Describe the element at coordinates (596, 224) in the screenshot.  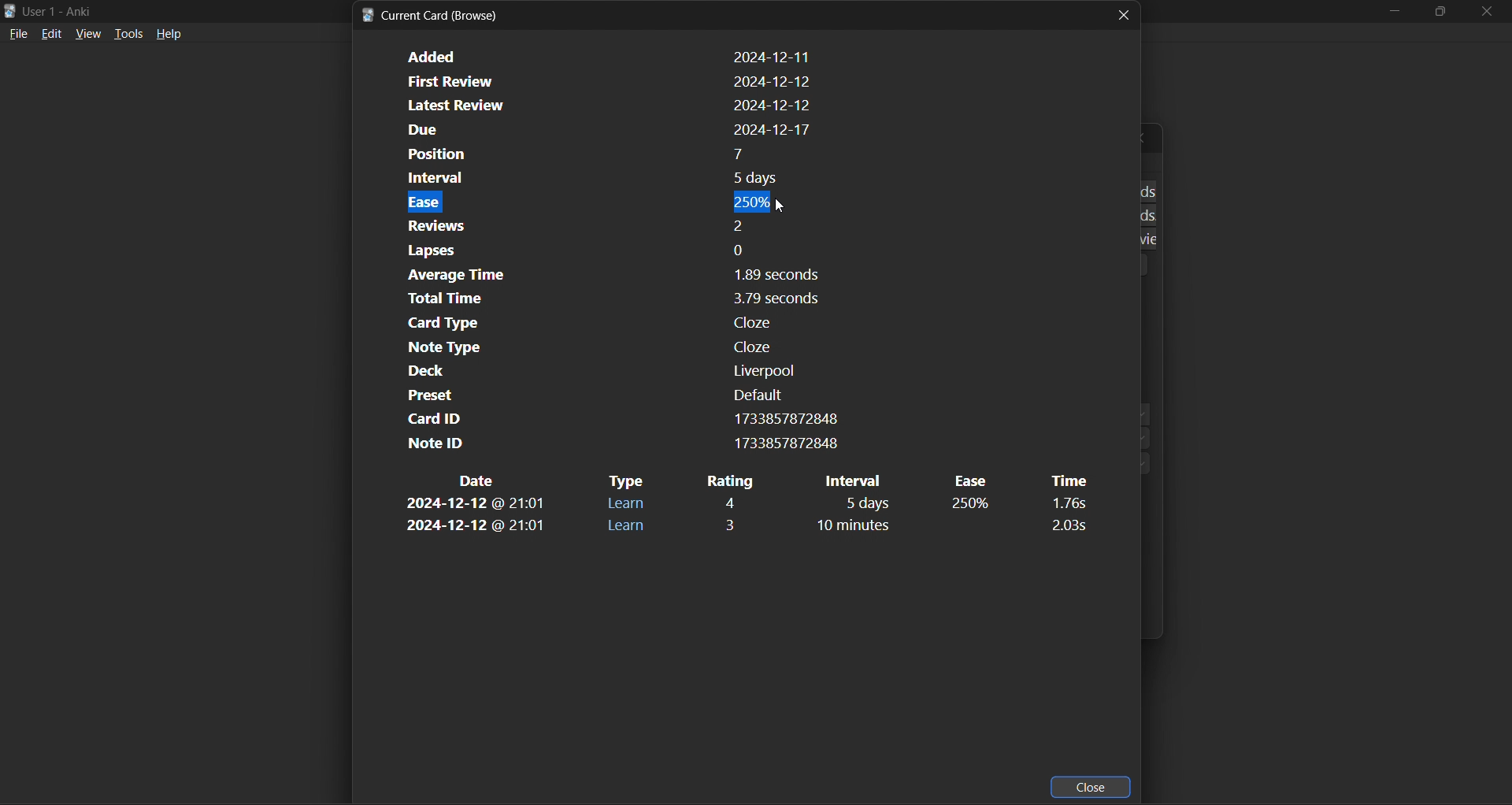
I see `card reviews` at that location.